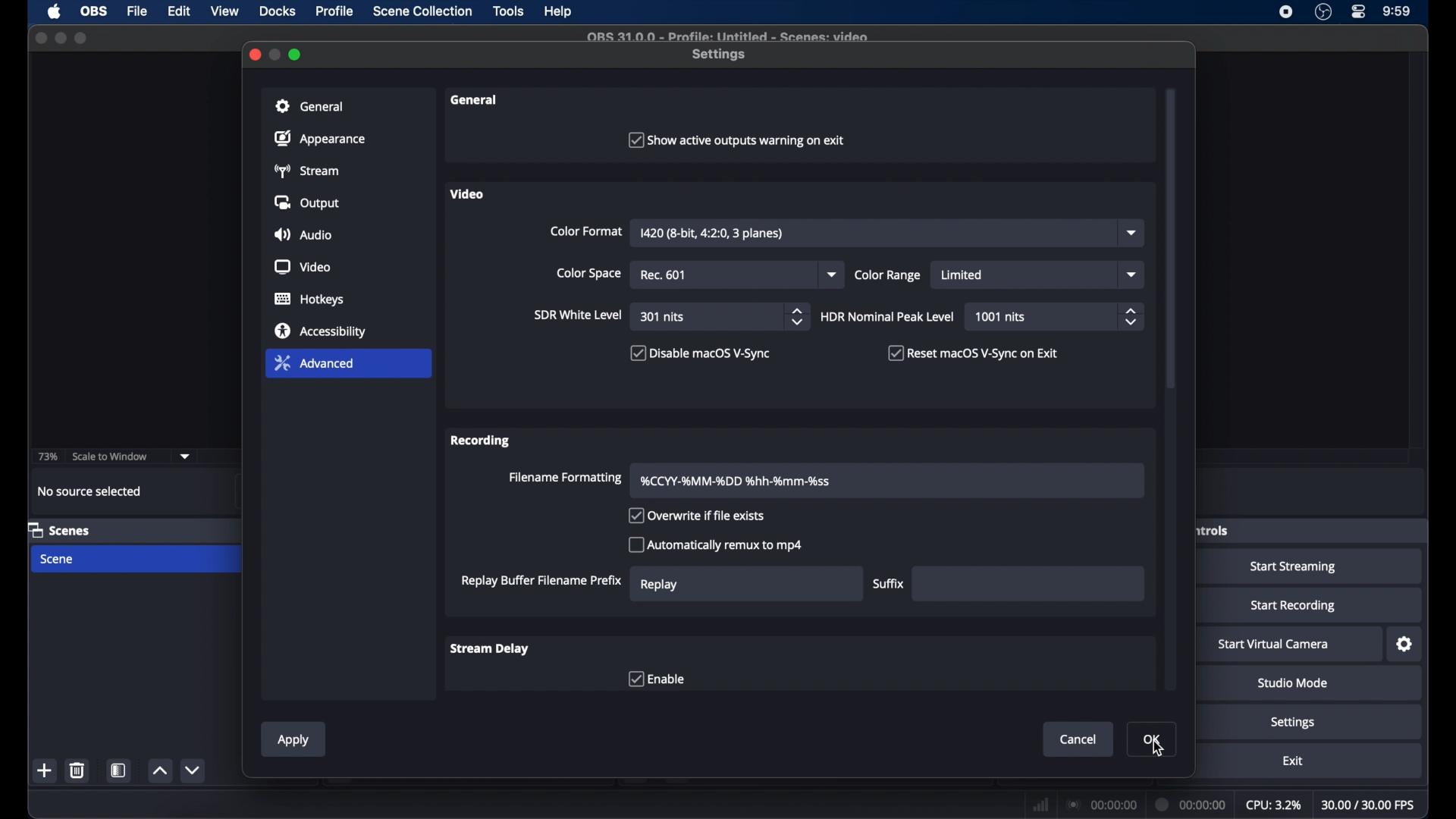  Describe the element at coordinates (579, 315) in the screenshot. I see `sir white level` at that location.